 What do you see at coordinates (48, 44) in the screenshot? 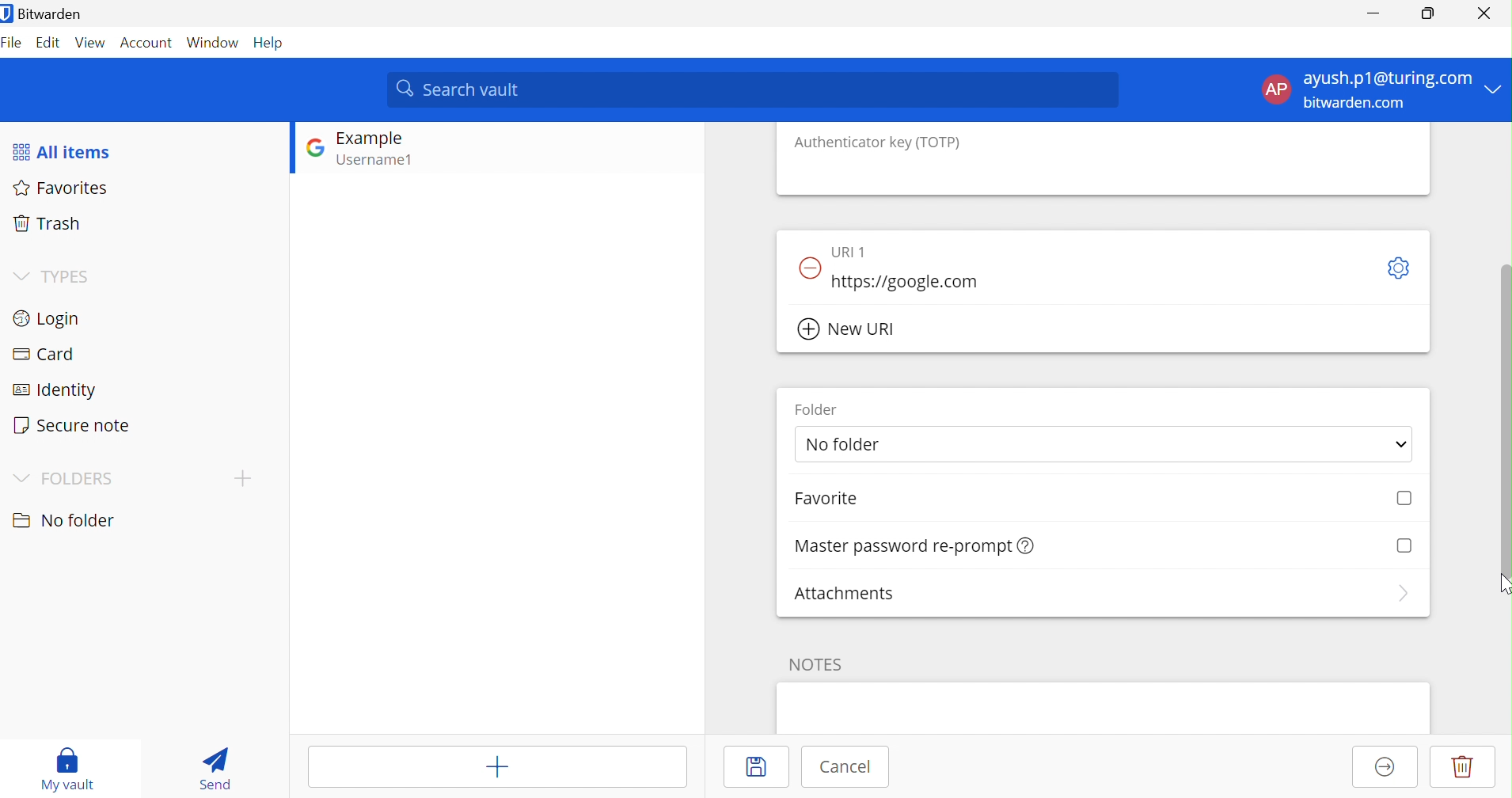
I see `Edit` at bounding box center [48, 44].